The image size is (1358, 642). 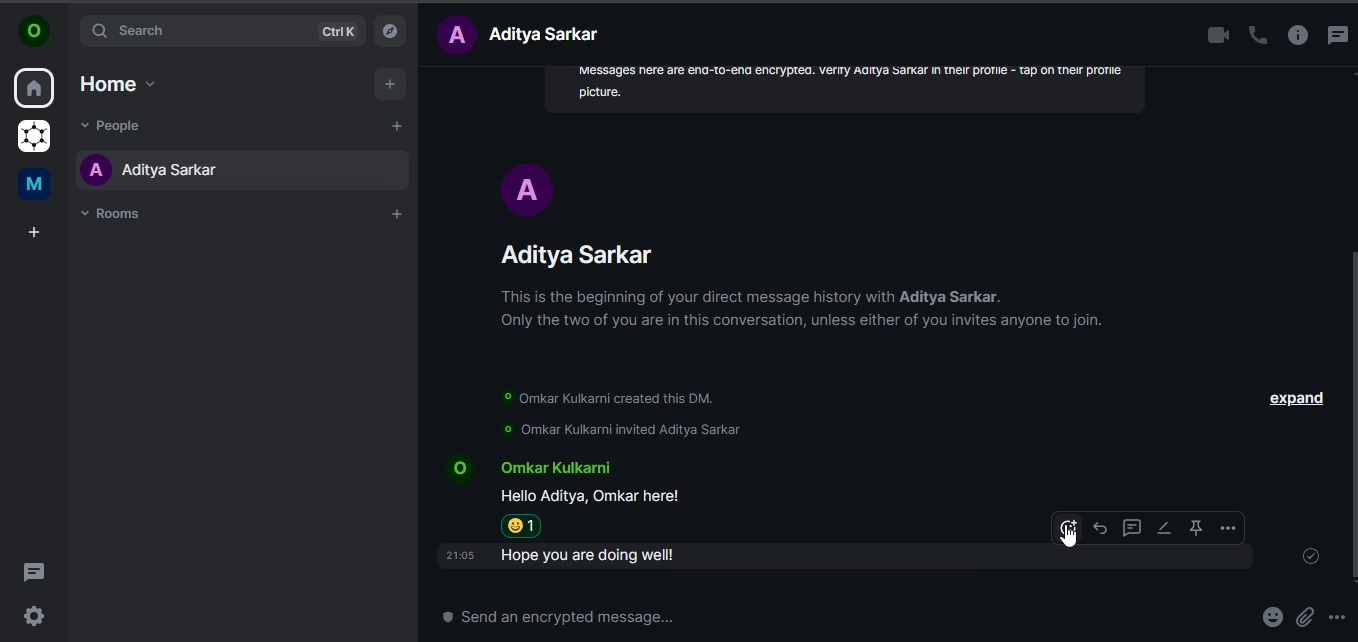 I want to click on people, so click(x=117, y=125).